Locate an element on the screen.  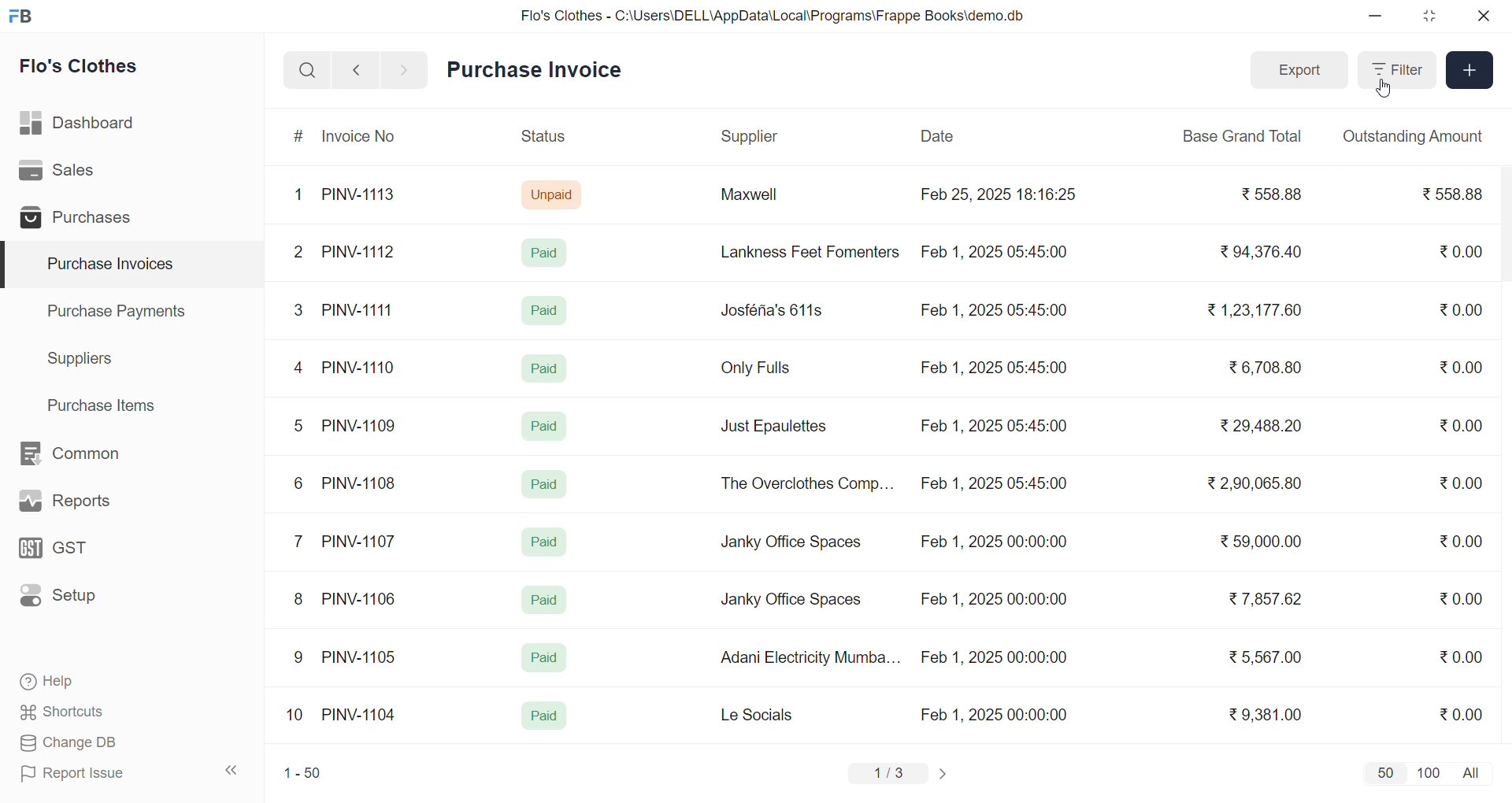
Maxwell is located at coordinates (767, 200).